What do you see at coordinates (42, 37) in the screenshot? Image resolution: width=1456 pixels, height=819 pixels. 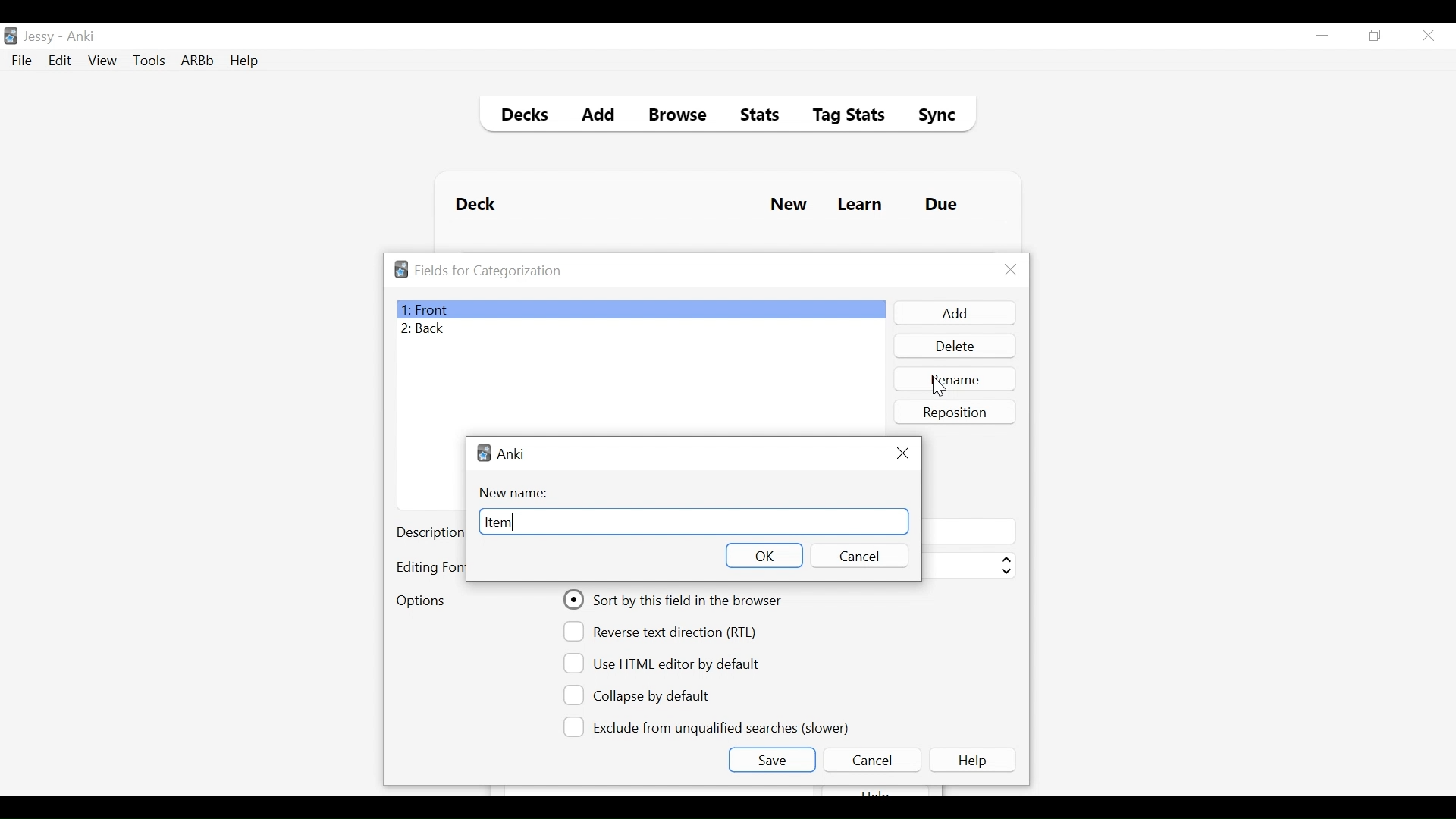 I see `User Nmae` at bounding box center [42, 37].